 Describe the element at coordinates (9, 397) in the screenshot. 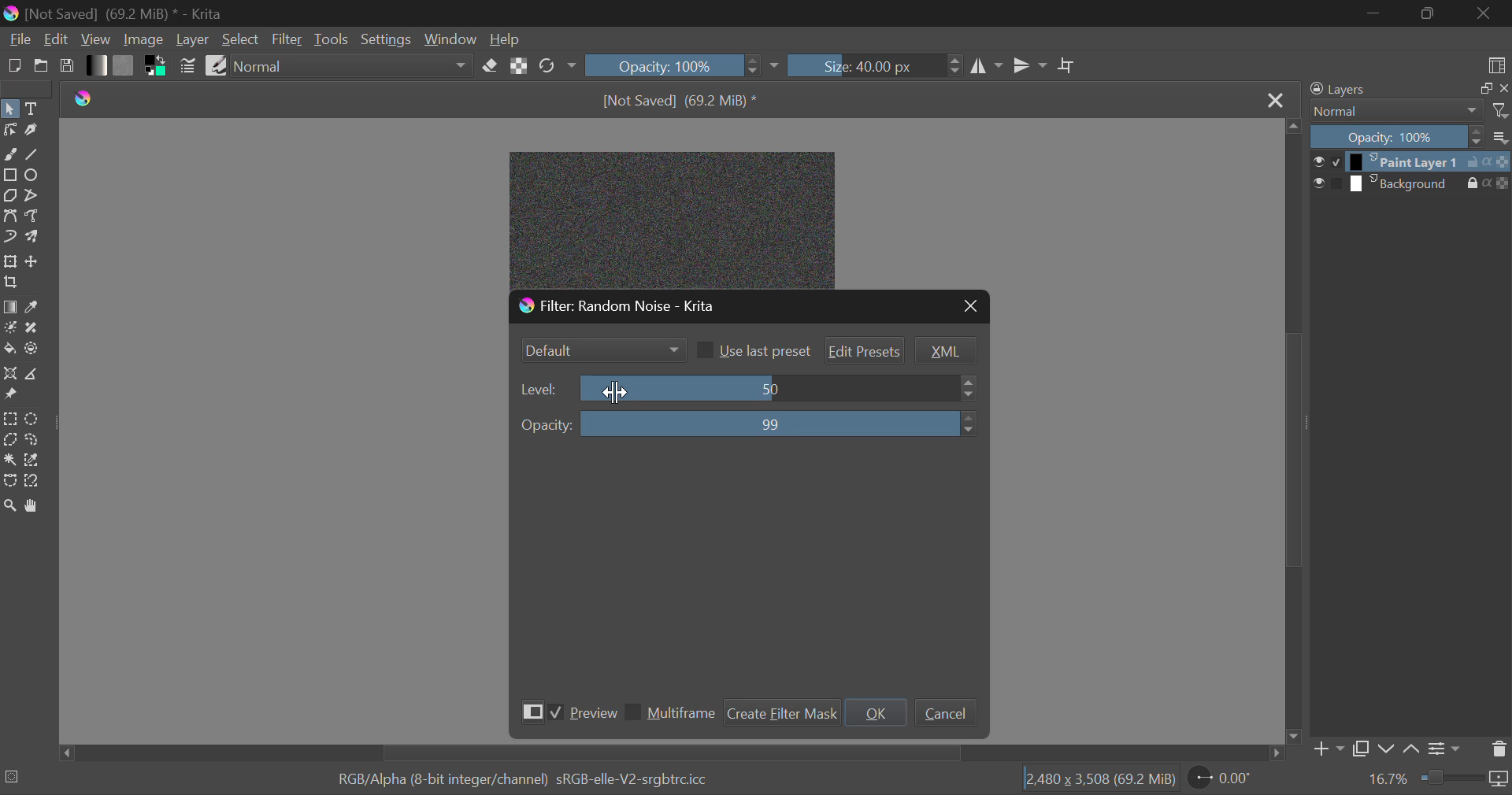

I see `Reference Images` at that location.